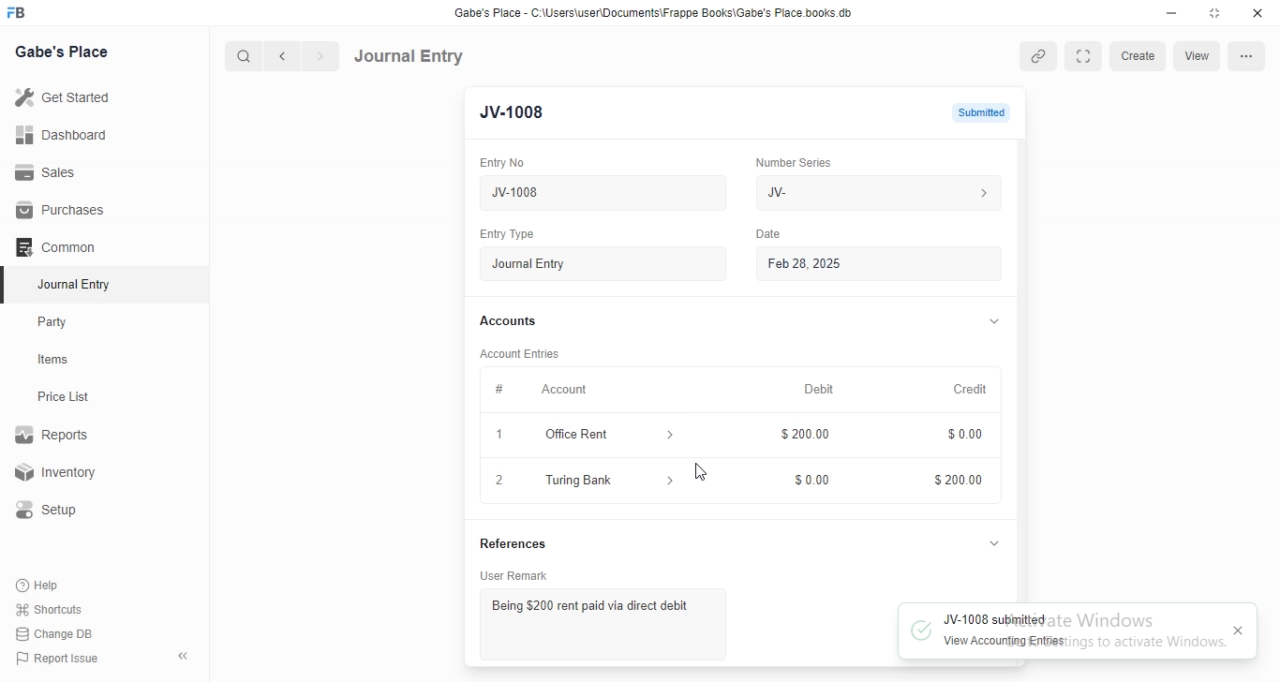 The image size is (1280, 682). I want to click on $ 0.00, so click(961, 436).